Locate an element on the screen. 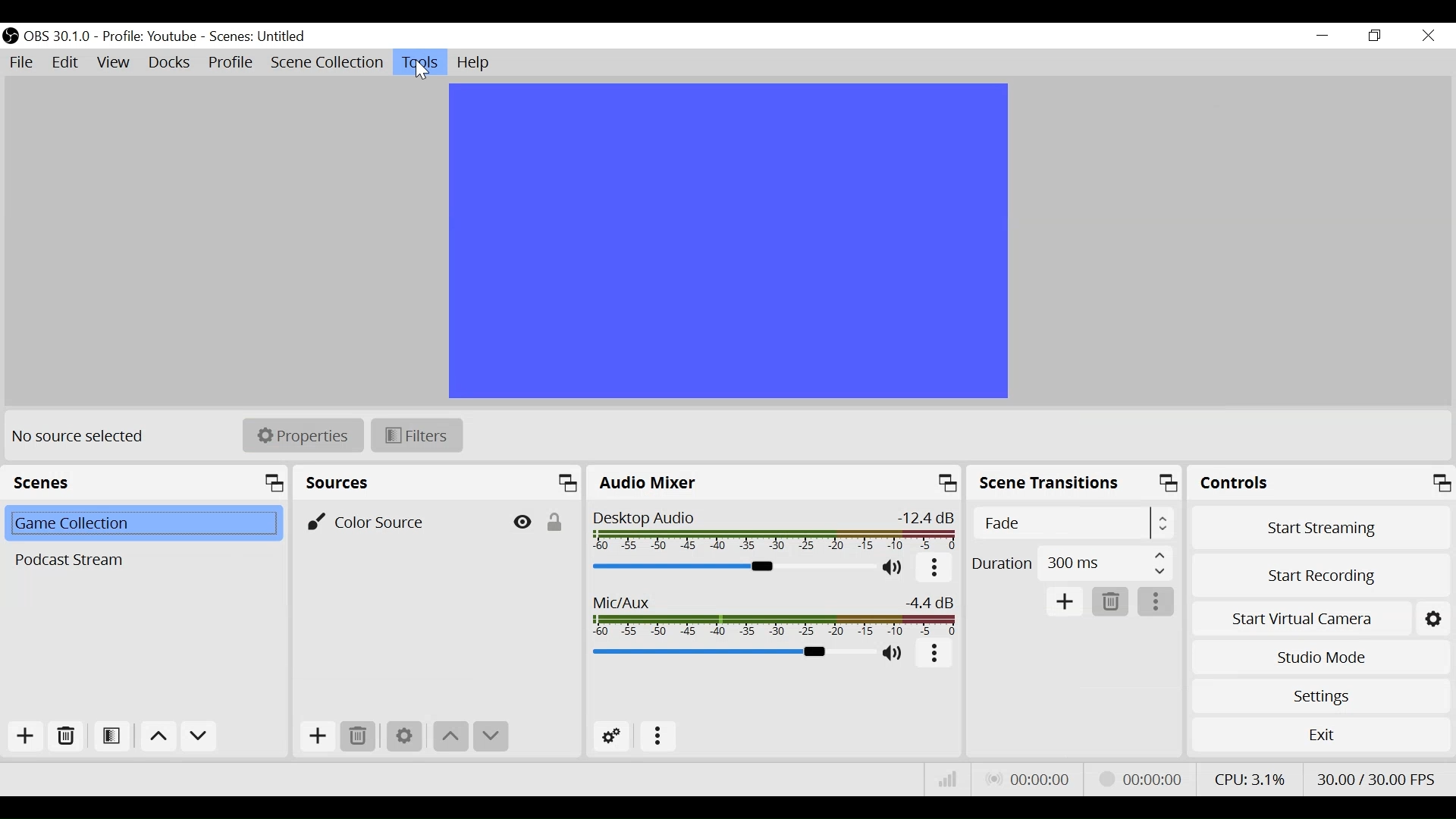 Image resolution: width=1456 pixels, height=819 pixels. Docks is located at coordinates (171, 62).